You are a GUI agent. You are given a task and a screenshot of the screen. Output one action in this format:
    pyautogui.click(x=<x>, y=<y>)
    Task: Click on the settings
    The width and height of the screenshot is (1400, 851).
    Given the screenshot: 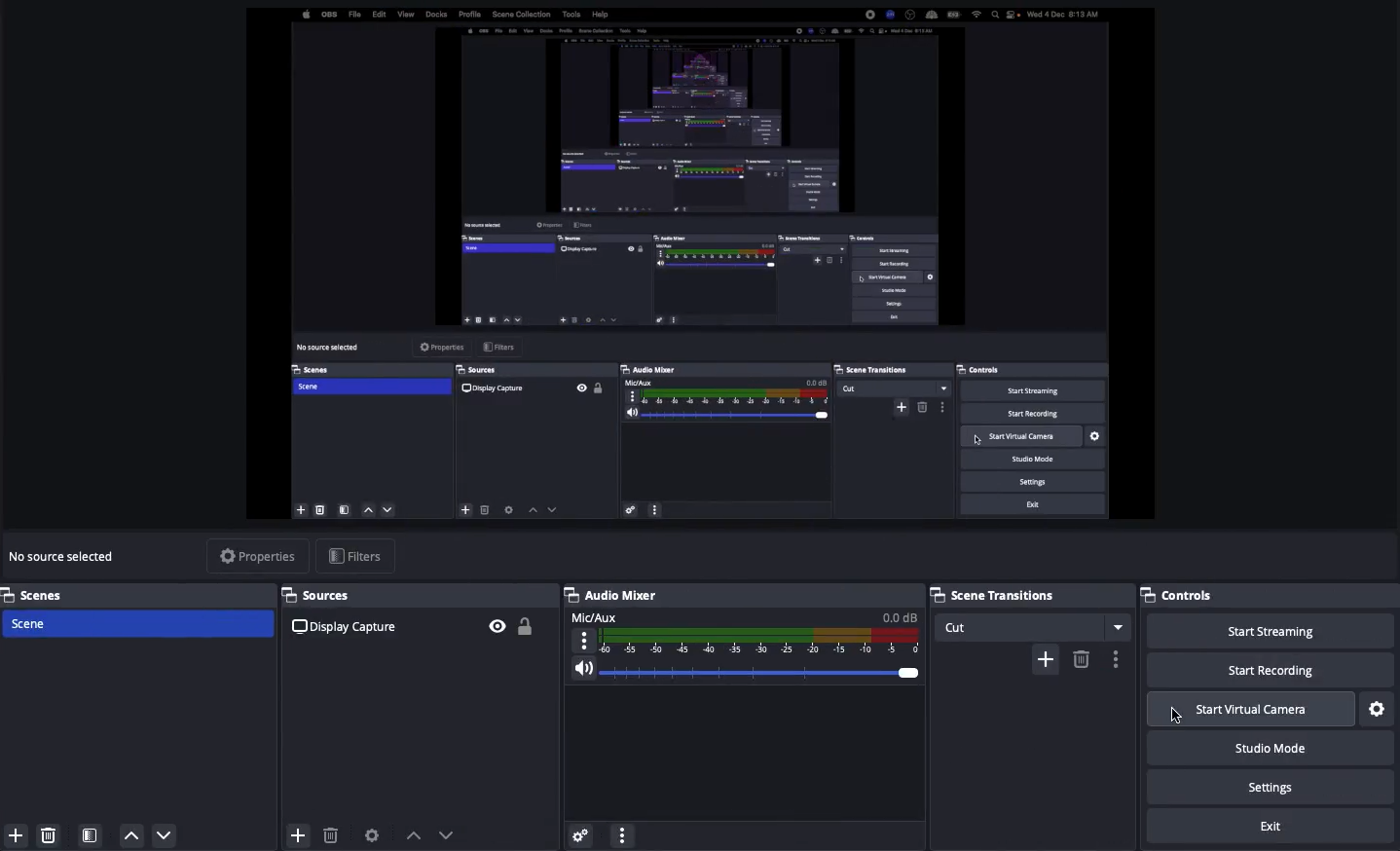 What is the action you would take?
    pyautogui.click(x=626, y=832)
    